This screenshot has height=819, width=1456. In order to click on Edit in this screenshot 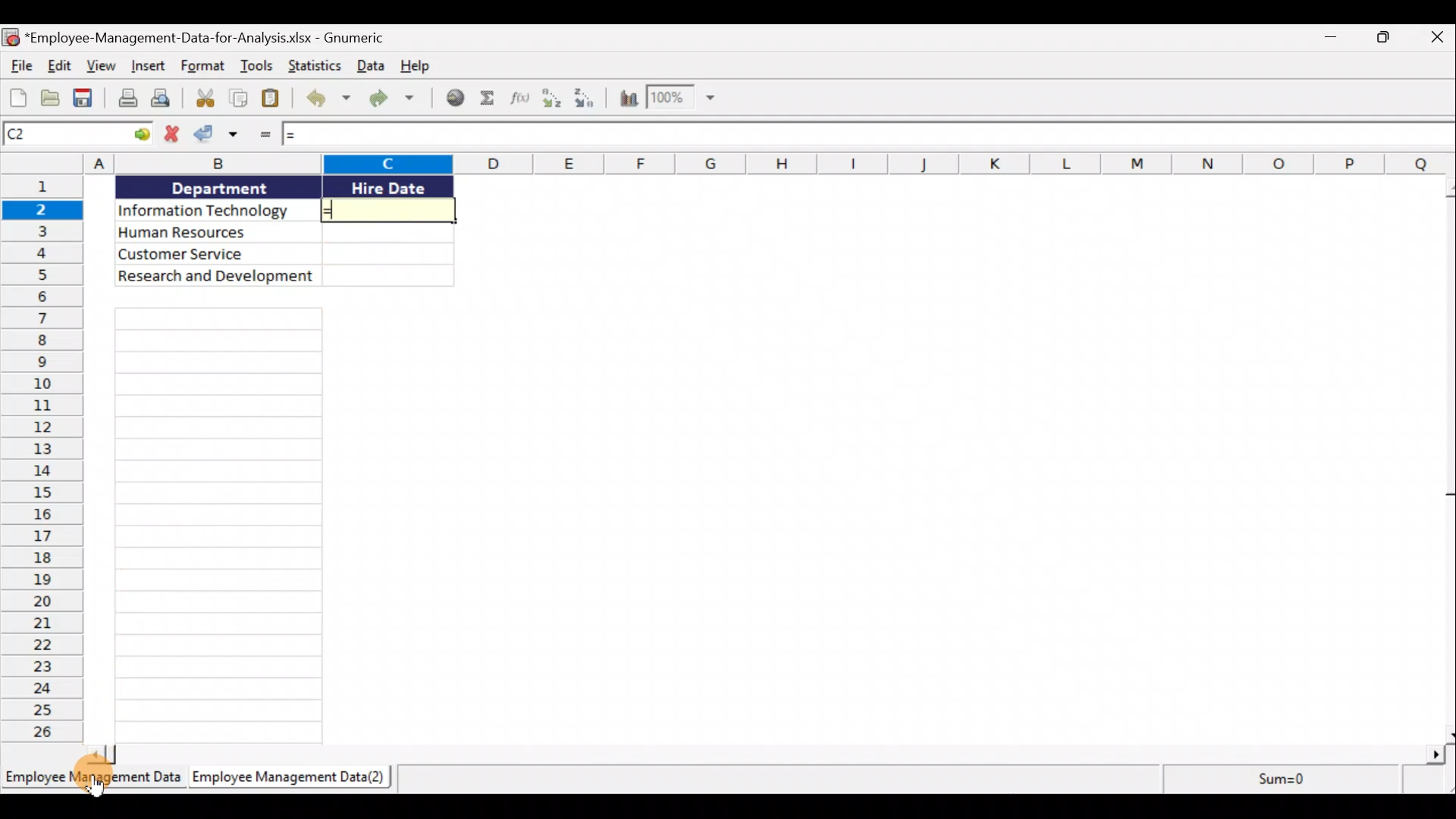, I will do `click(58, 65)`.